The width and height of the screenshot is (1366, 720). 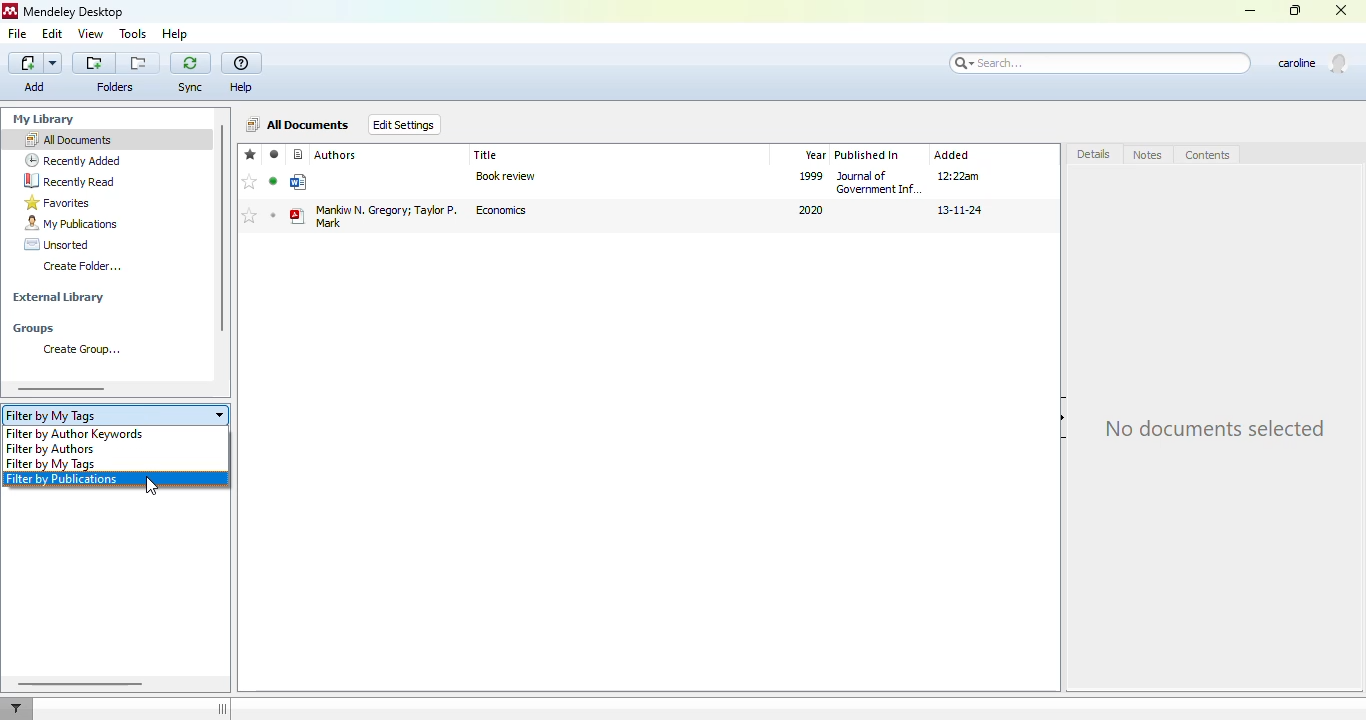 What do you see at coordinates (222, 709) in the screenshot?
I see `hide/show` at bounding box center [222, 709].